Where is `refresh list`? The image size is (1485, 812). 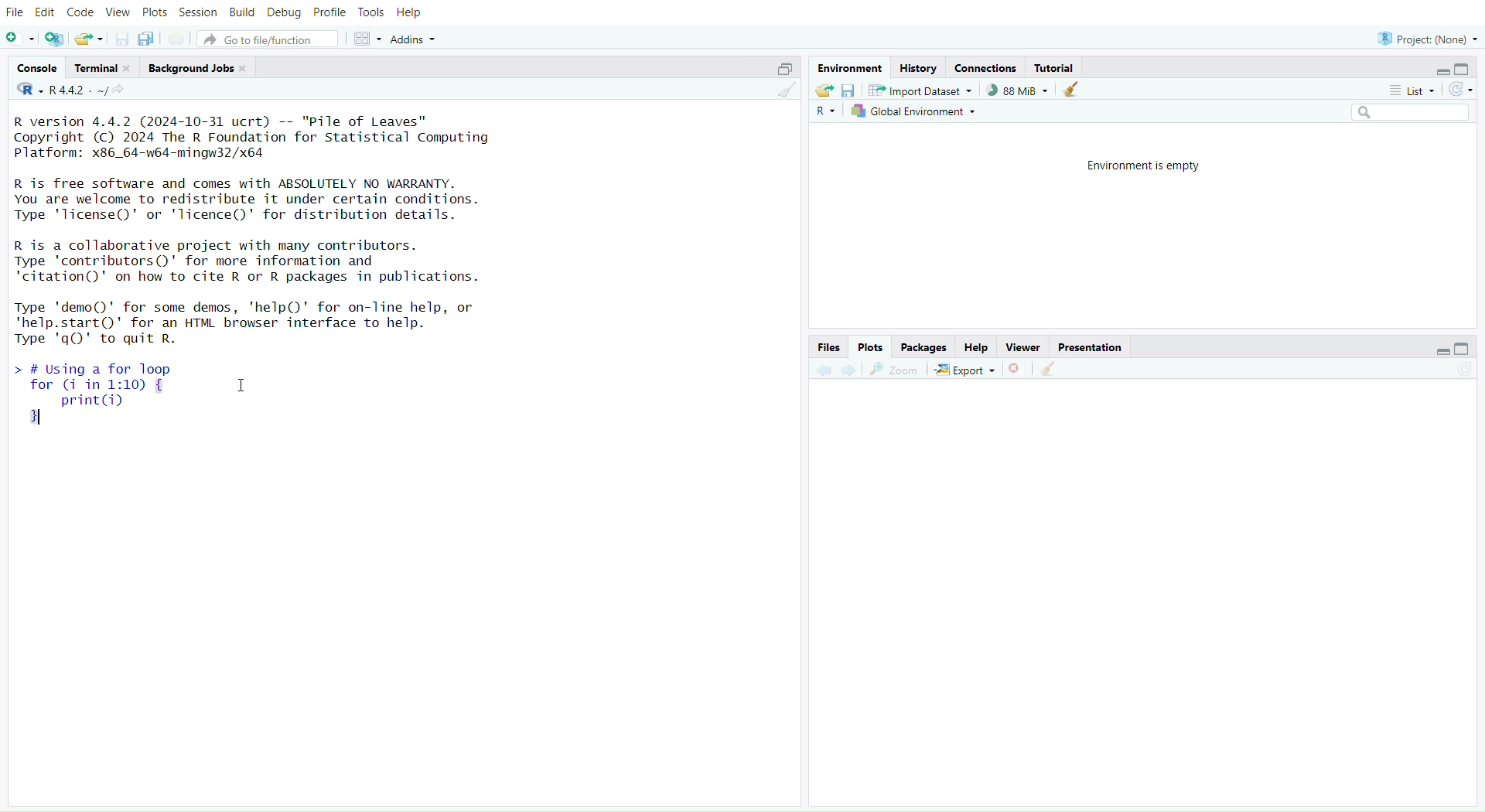 refresh list is located at coordinates (1461, 90).